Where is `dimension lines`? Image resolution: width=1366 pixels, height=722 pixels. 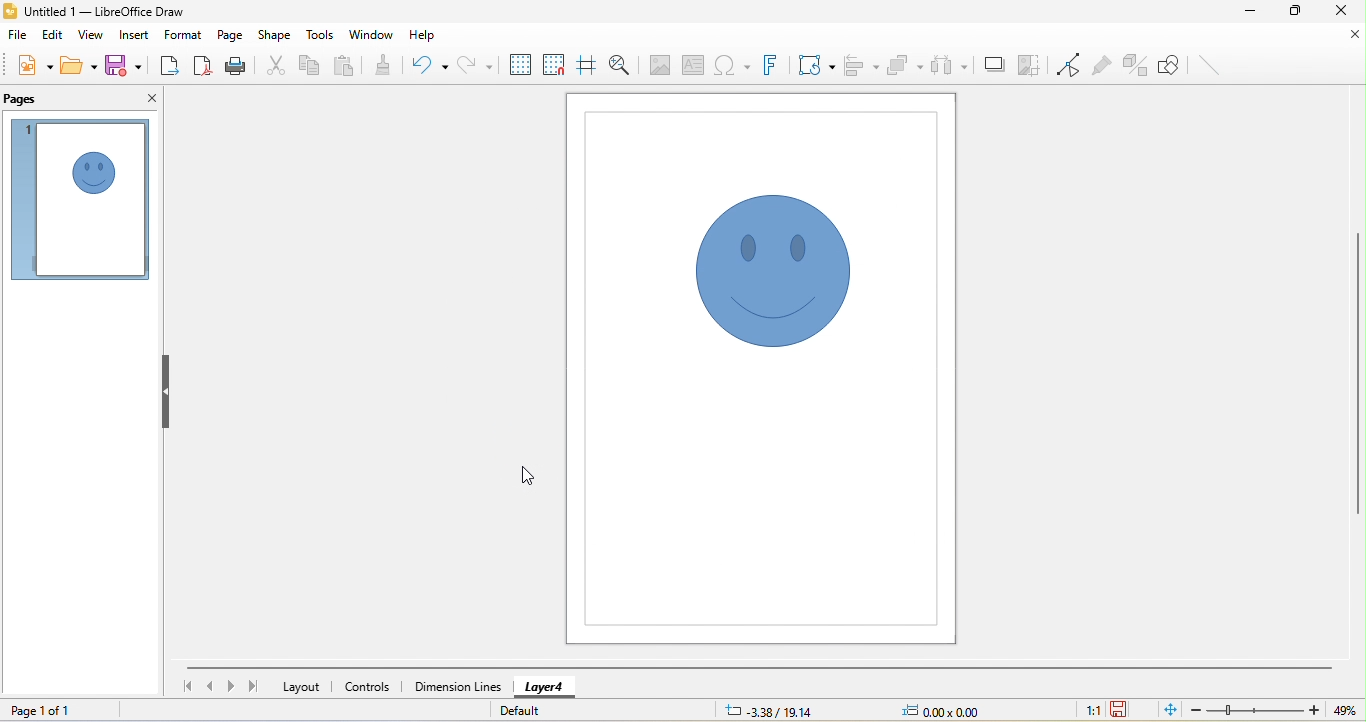 dimension lines is located at coordinates (457, 685).